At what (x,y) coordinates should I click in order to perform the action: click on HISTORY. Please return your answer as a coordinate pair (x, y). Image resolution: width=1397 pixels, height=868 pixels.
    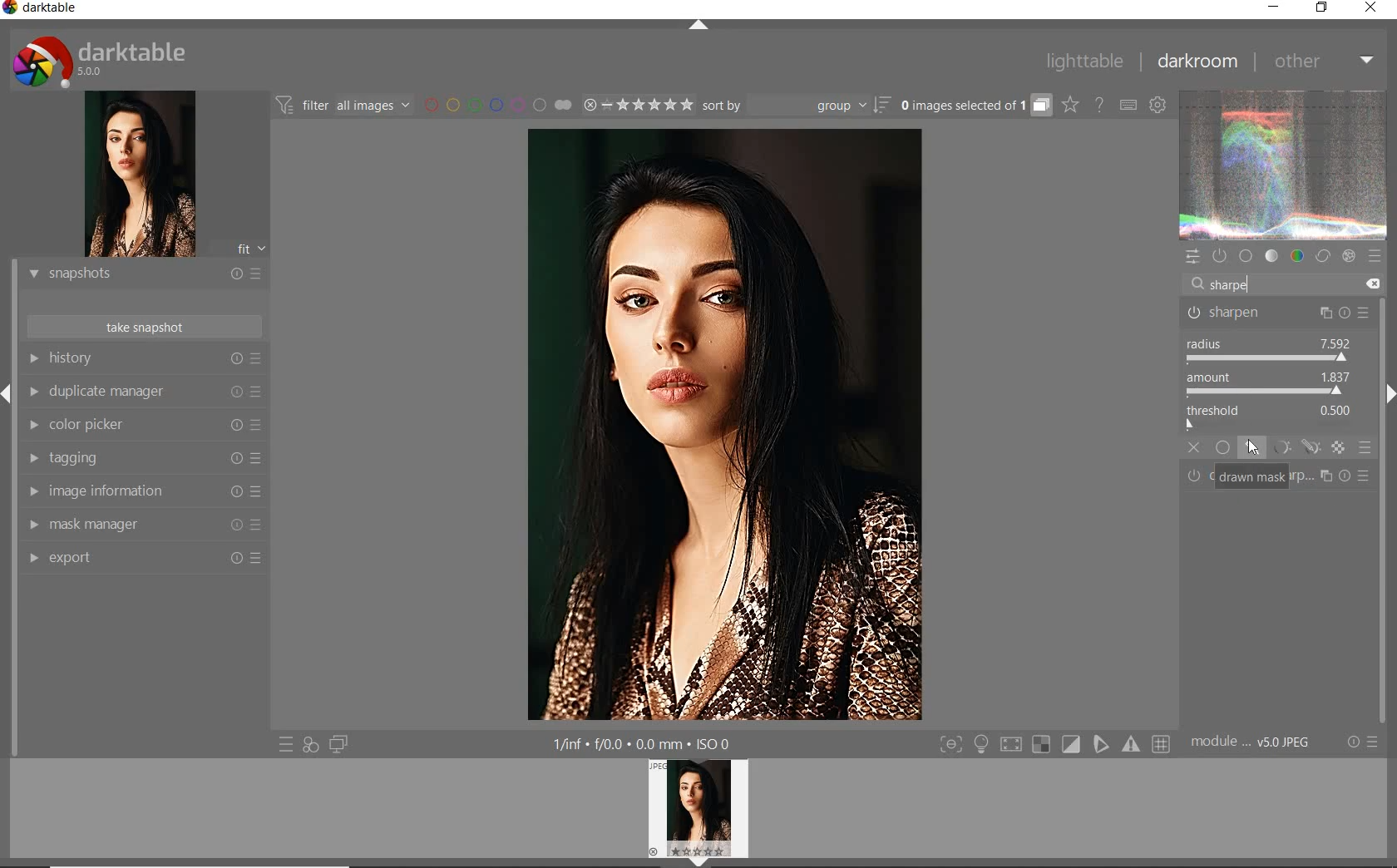
    Looking at the image, I should click on (144, 360).